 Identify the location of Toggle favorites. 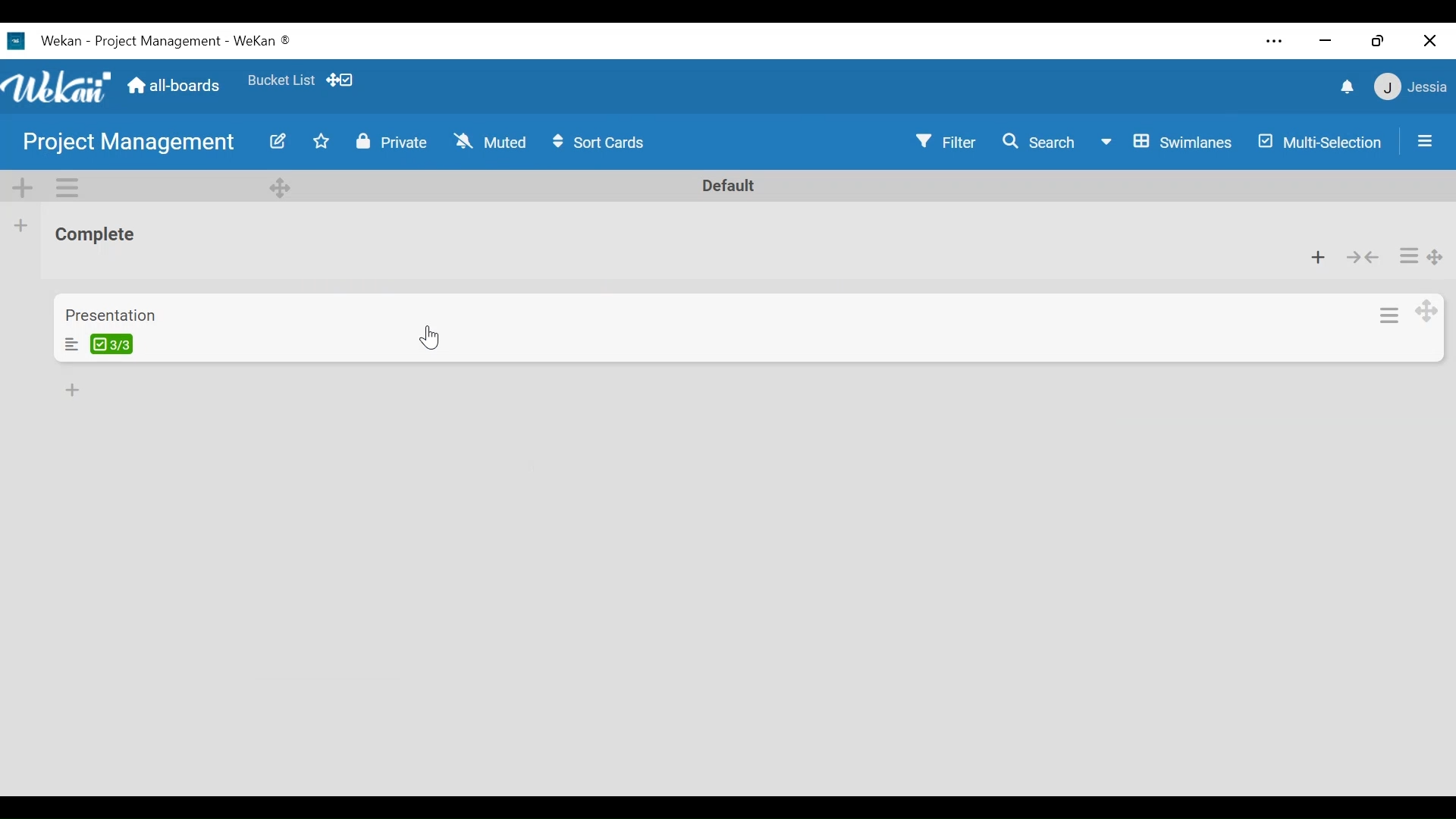
(280, 80).